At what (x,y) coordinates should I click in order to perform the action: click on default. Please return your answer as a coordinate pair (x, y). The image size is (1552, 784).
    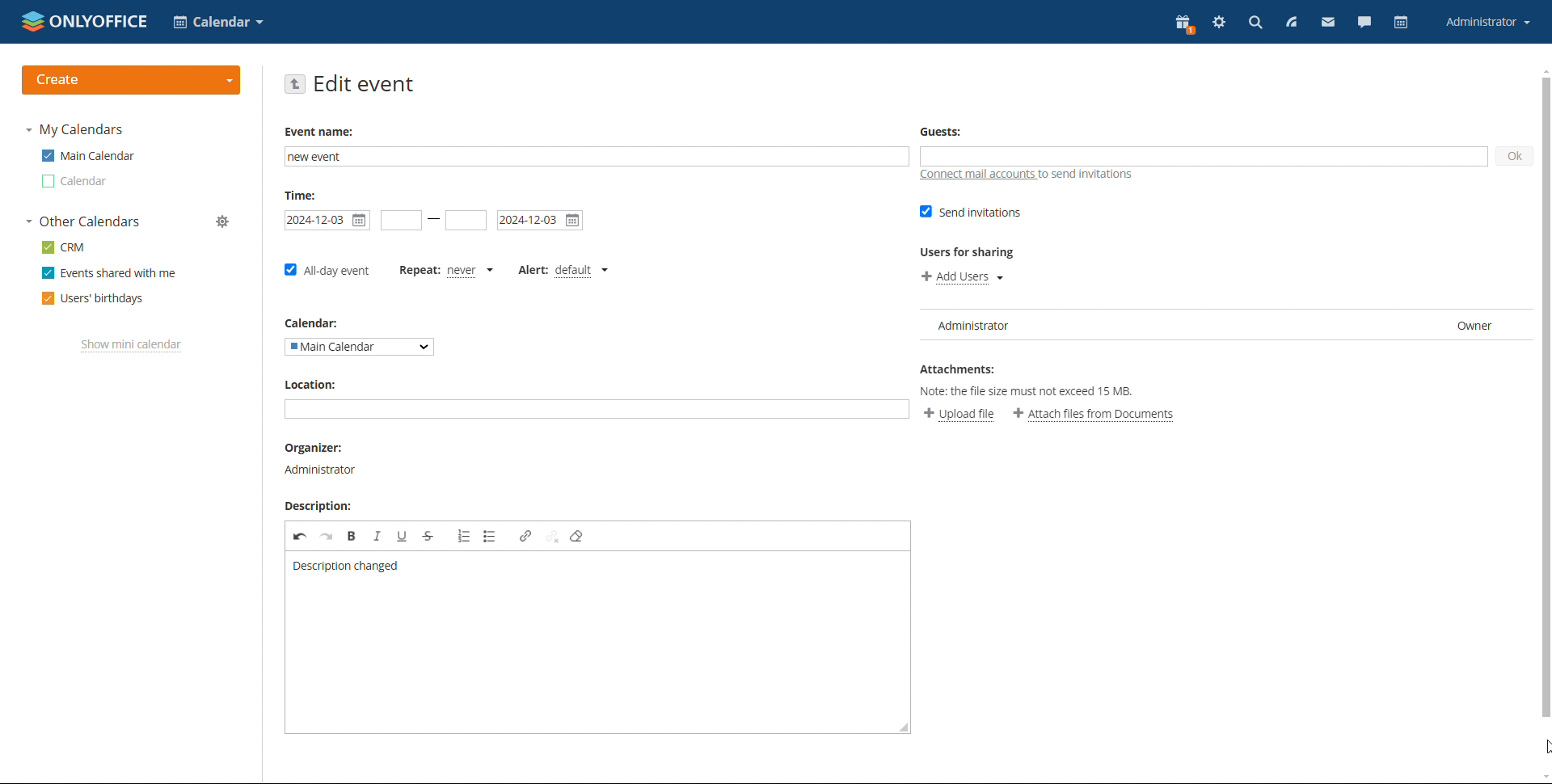
    Looking at the image, I should click on (580, 271).